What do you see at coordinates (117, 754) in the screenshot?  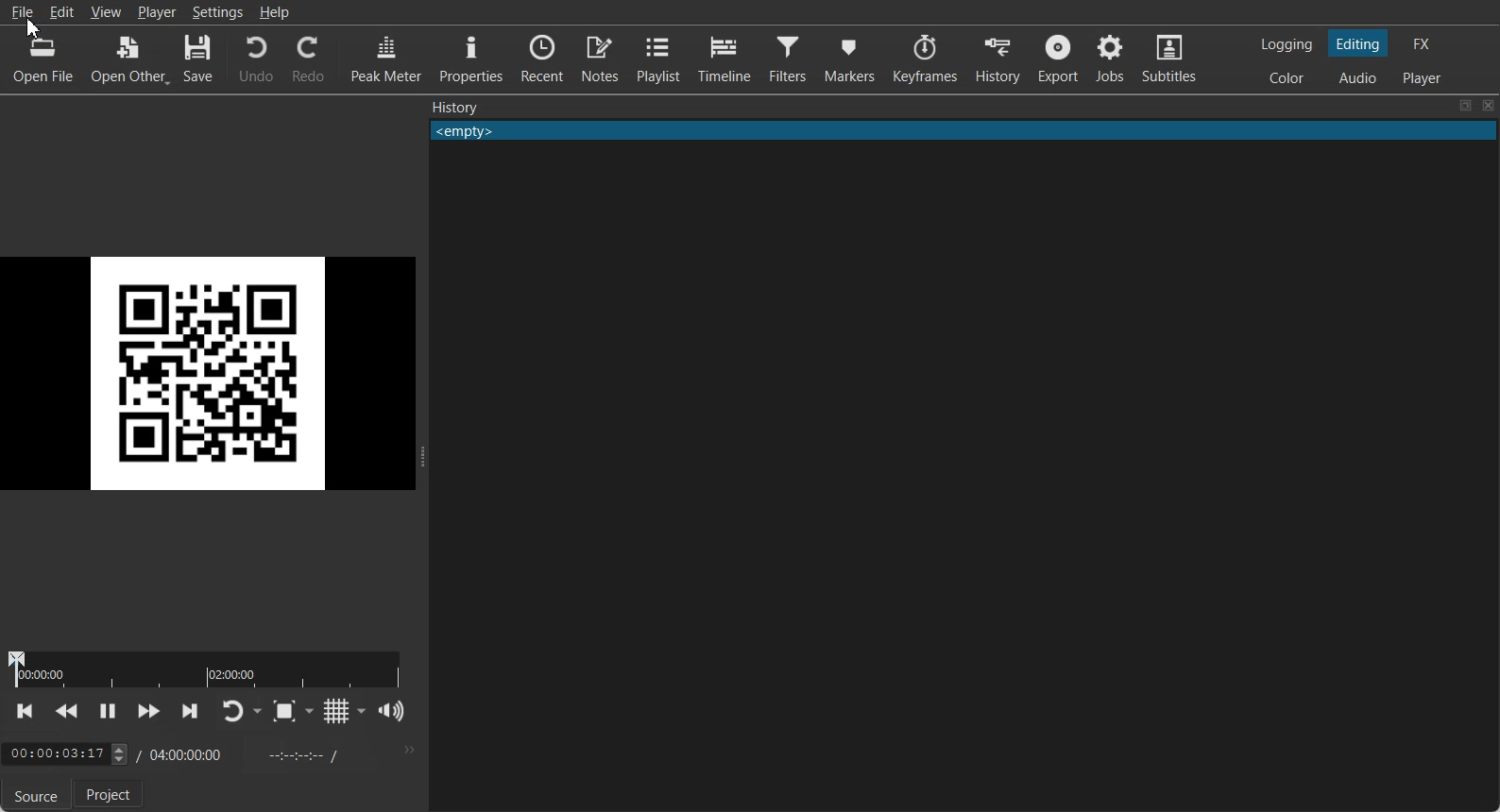 I see `toggle buttons` at bounding box center [117, 754].